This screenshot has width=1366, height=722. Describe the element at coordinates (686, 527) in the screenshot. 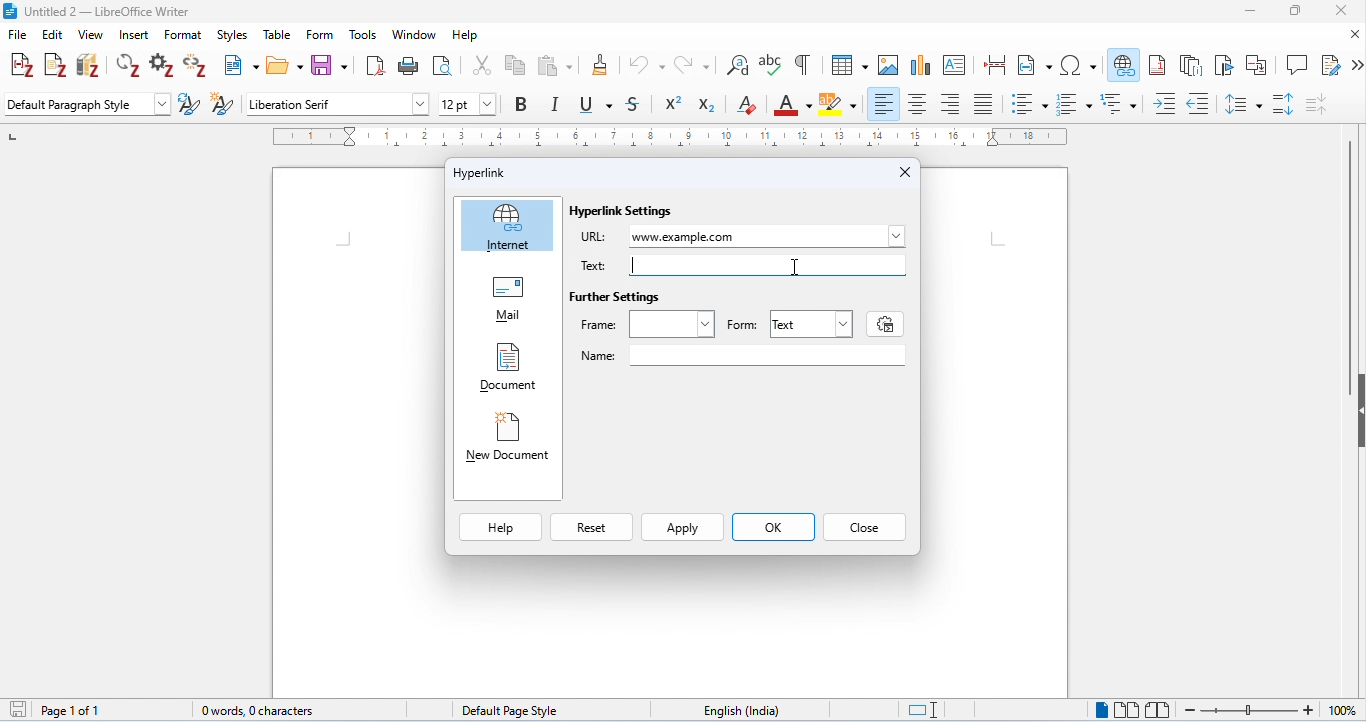

I see `Apply` at that location.